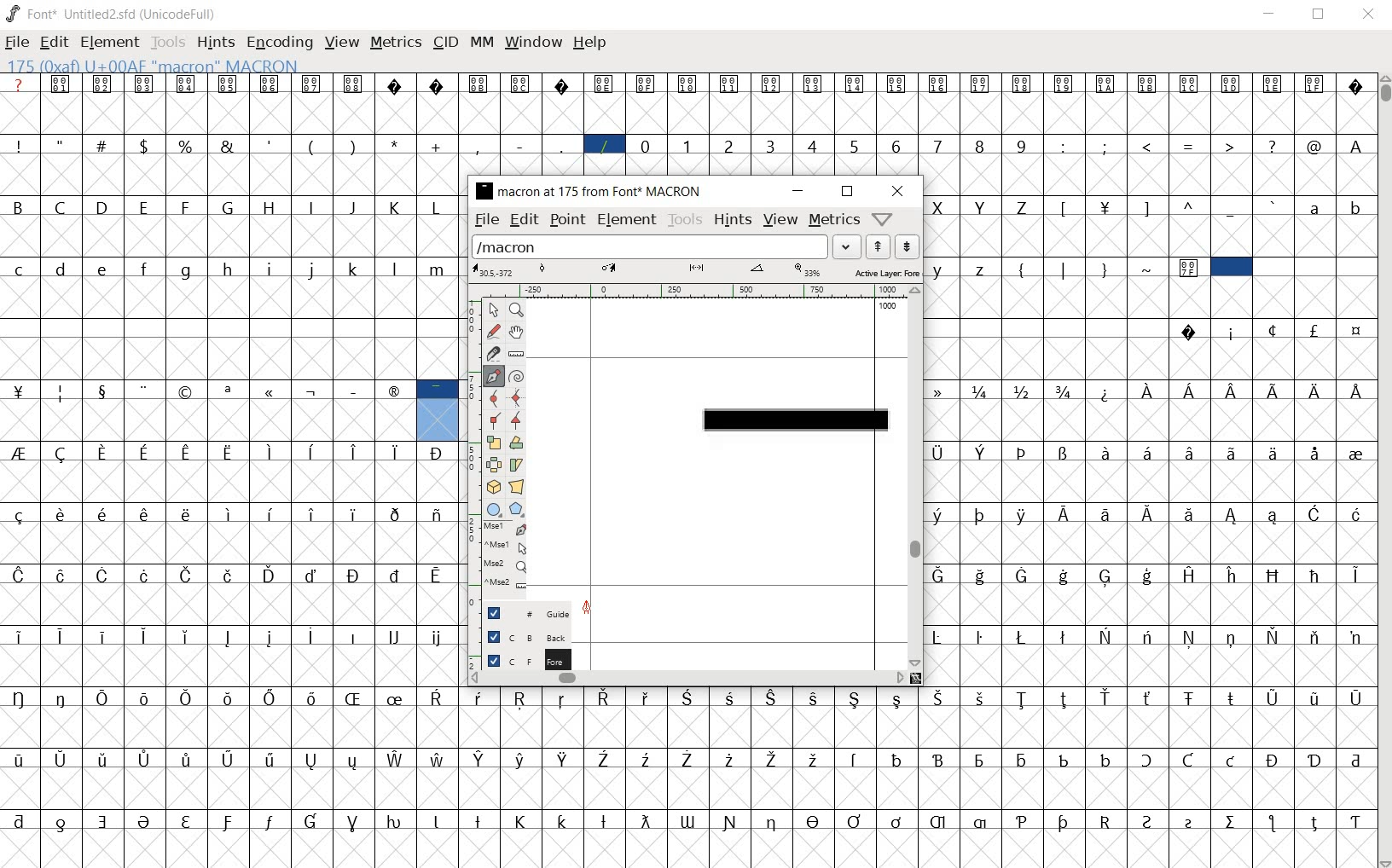  Describe the element at coordinates (604, 819) in the screenshot. I see `Symbol` at that location.